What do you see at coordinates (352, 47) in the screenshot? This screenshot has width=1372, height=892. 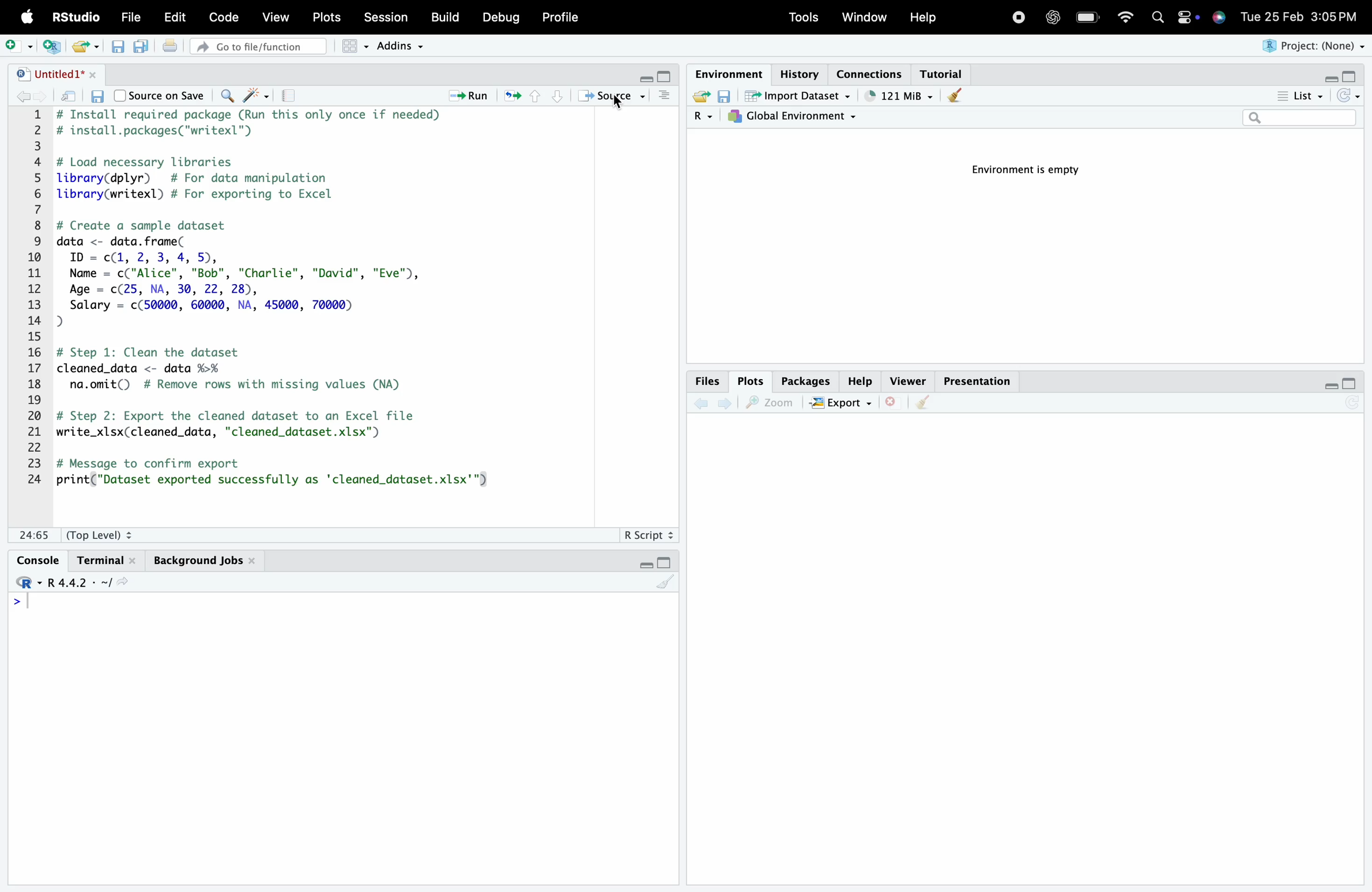 I see `Workspace panes` at bounding box center [352, 47].